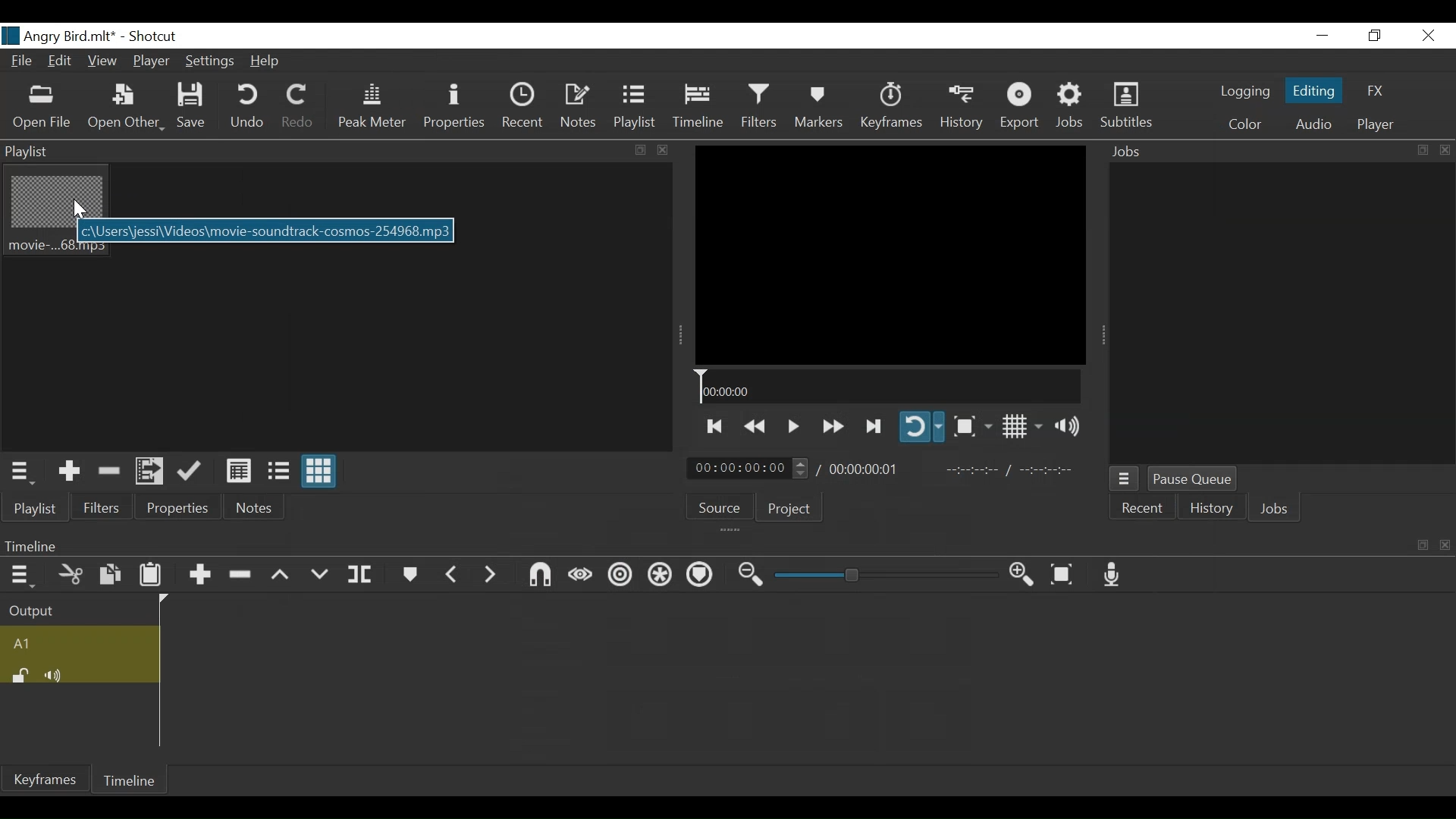  I want to click on Toggle Zoom, so click(972, 425).